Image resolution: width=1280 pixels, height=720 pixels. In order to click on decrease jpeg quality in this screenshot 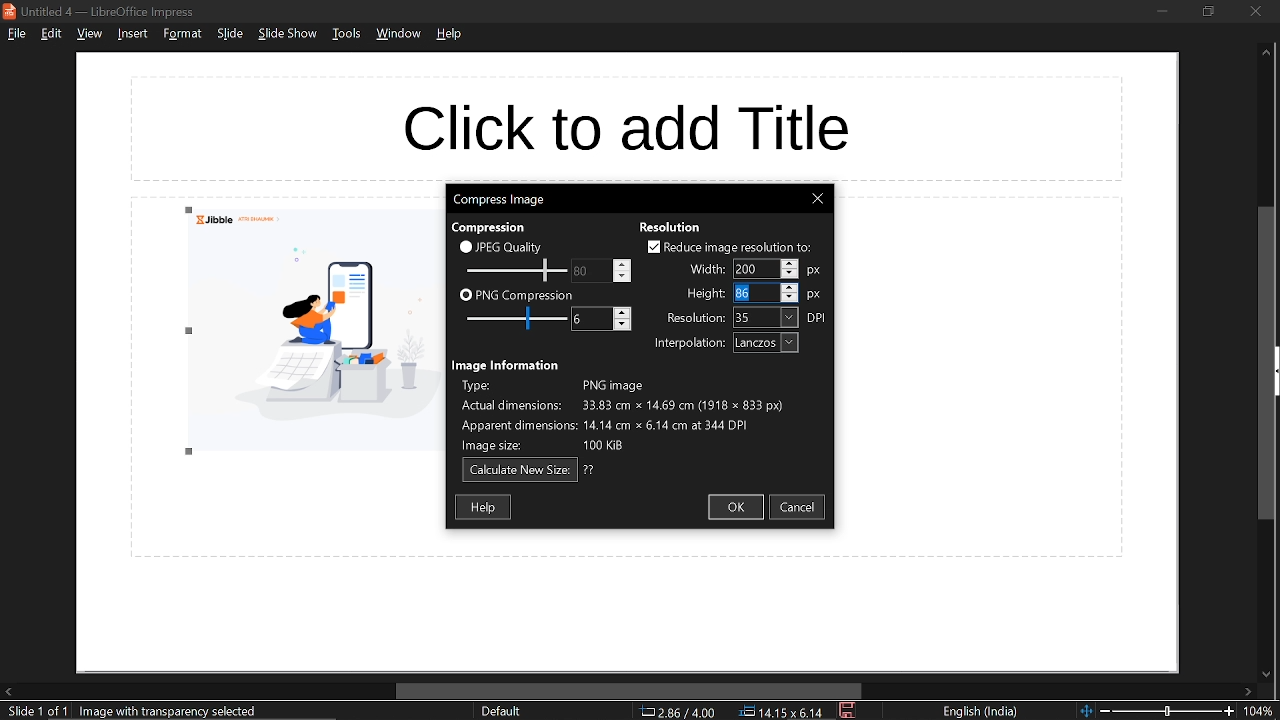, I will do `click(621, 276)`.